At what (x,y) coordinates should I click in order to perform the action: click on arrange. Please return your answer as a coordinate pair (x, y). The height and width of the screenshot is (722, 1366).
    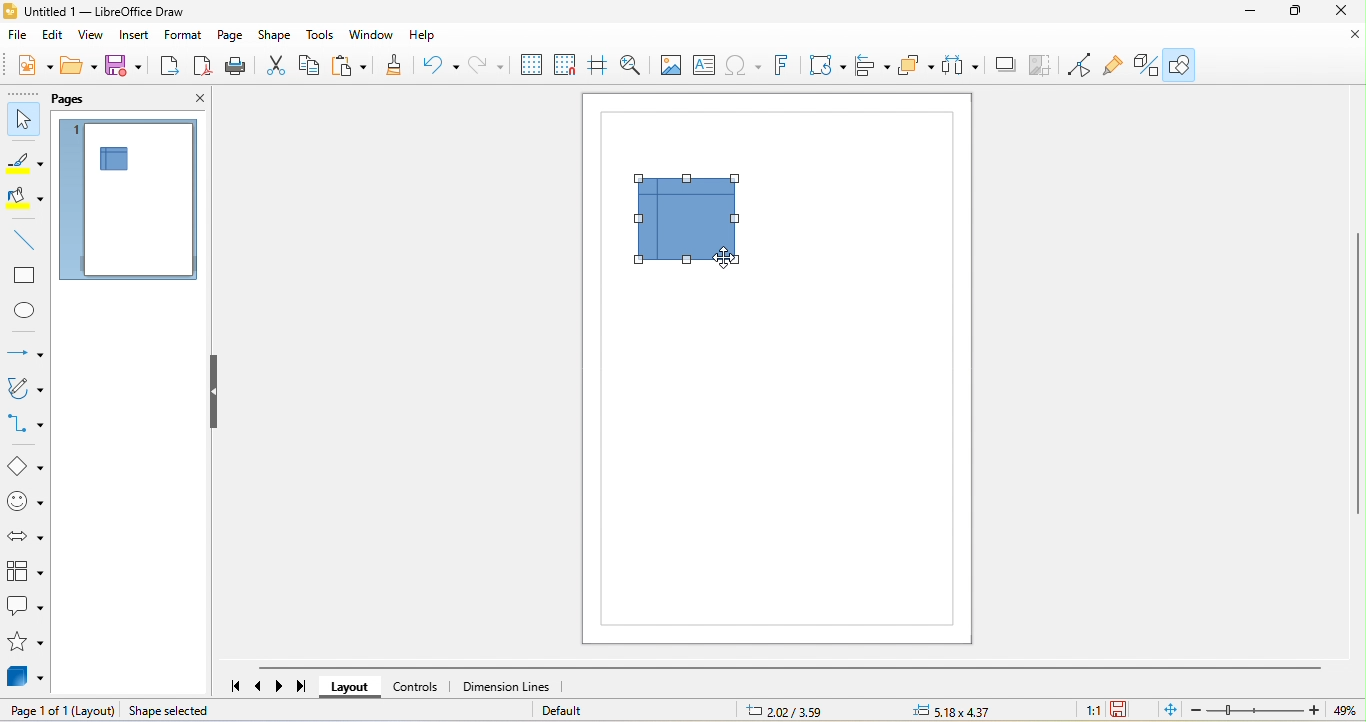
    Looking at the image, I should click on (916, 67).